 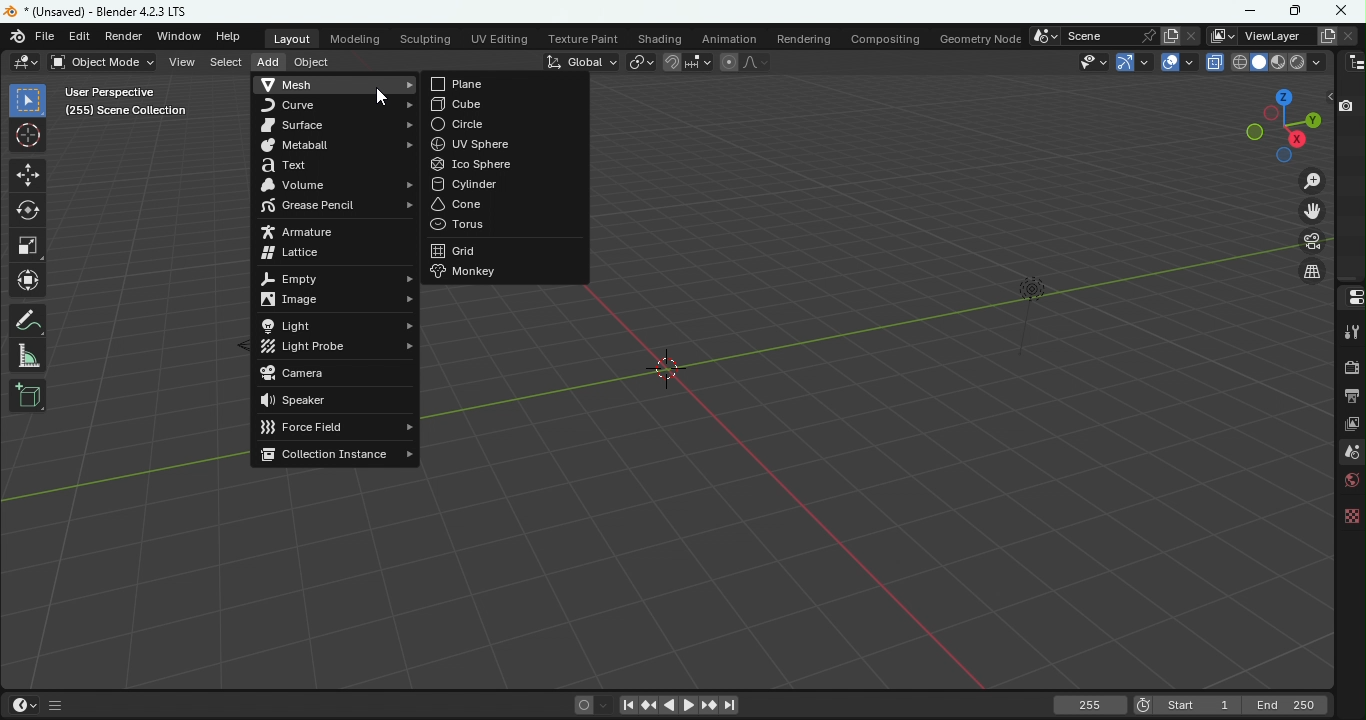 What do you see at coordinates (334, 454) in the screenshot?
I see `Collection instance` at bounding box center [334, 454].